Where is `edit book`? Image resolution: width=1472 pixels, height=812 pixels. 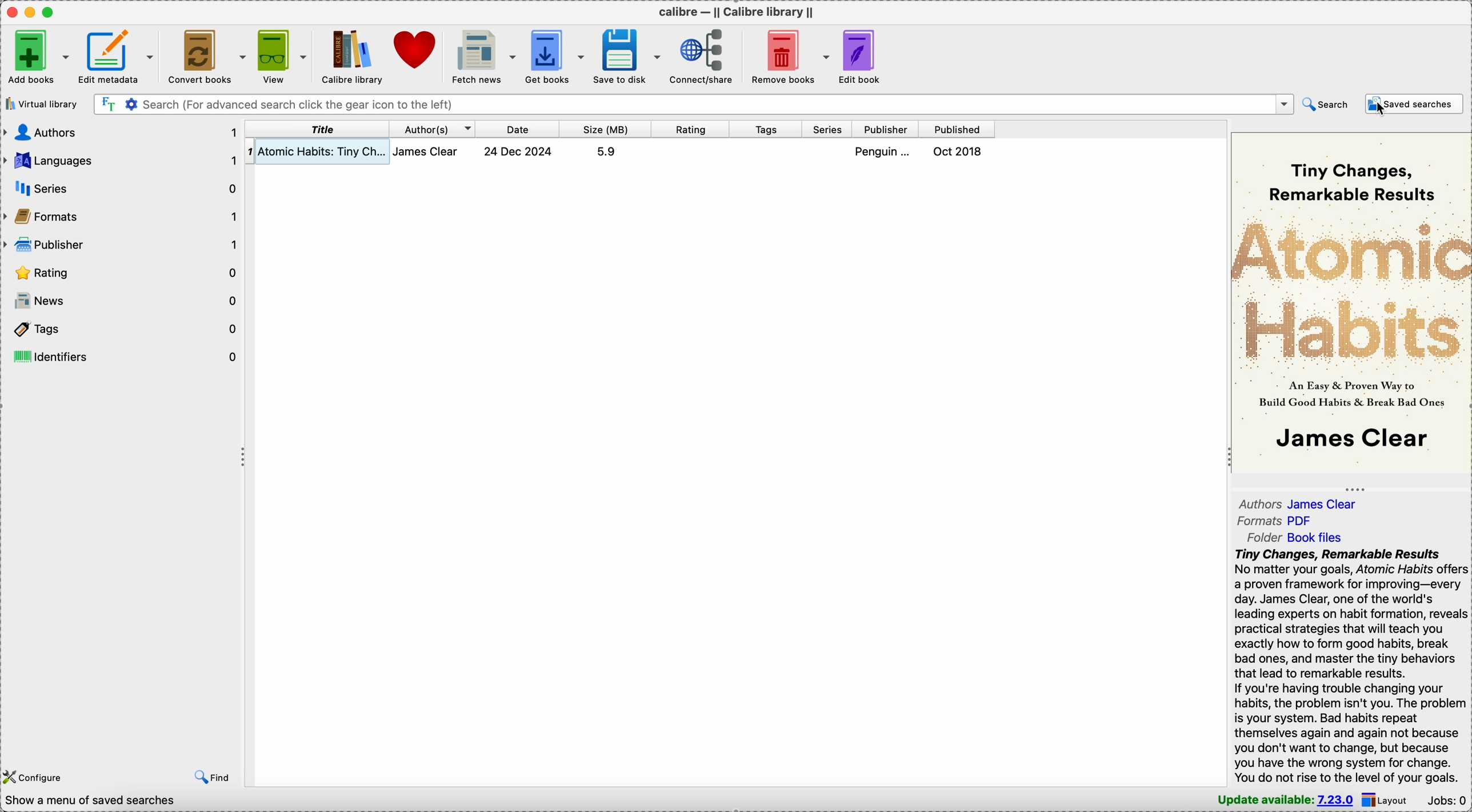
edit book is located at coordinates (867, 56).